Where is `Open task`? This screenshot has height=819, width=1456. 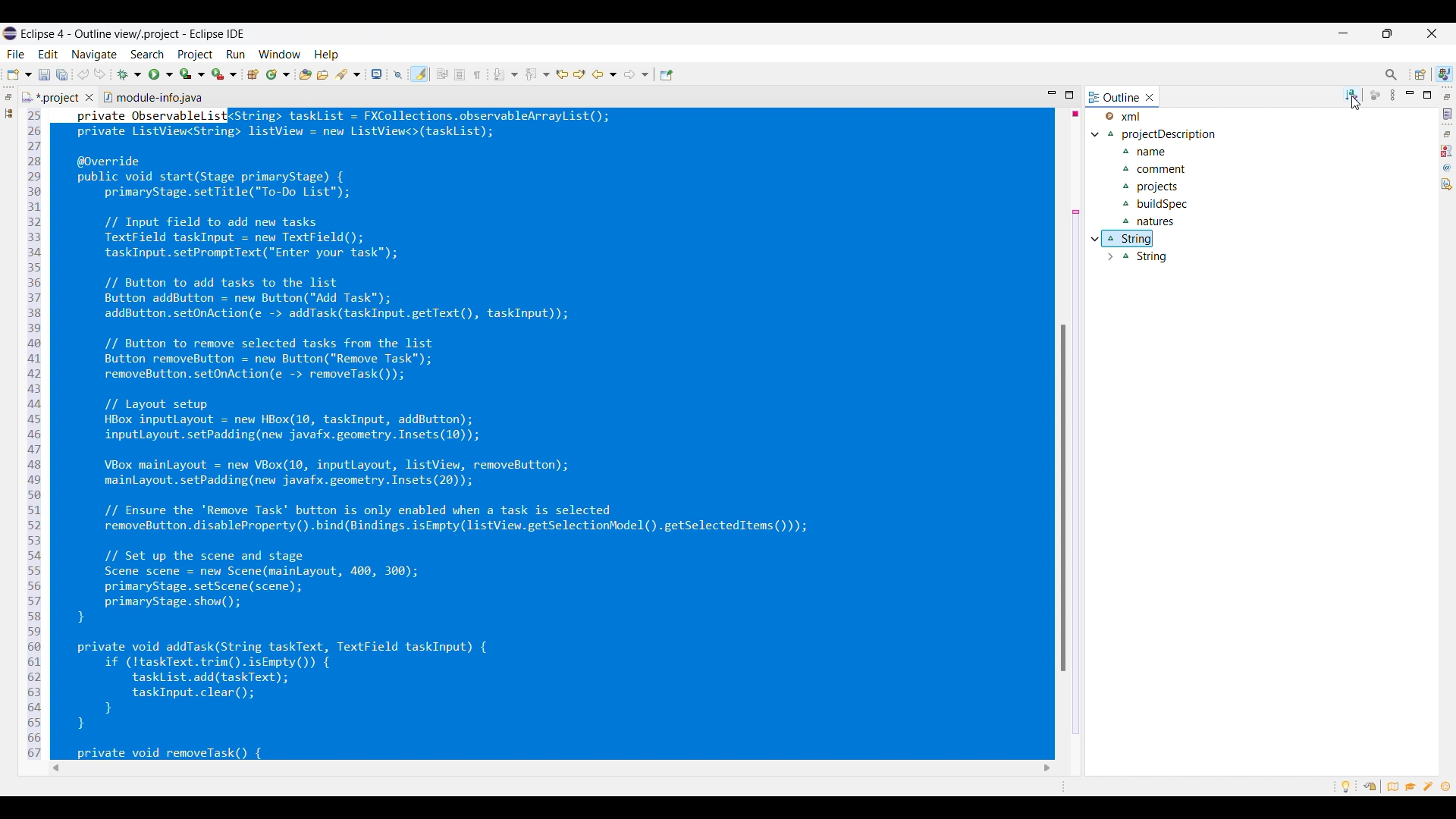 Open task is located at coordinates (323, 74).